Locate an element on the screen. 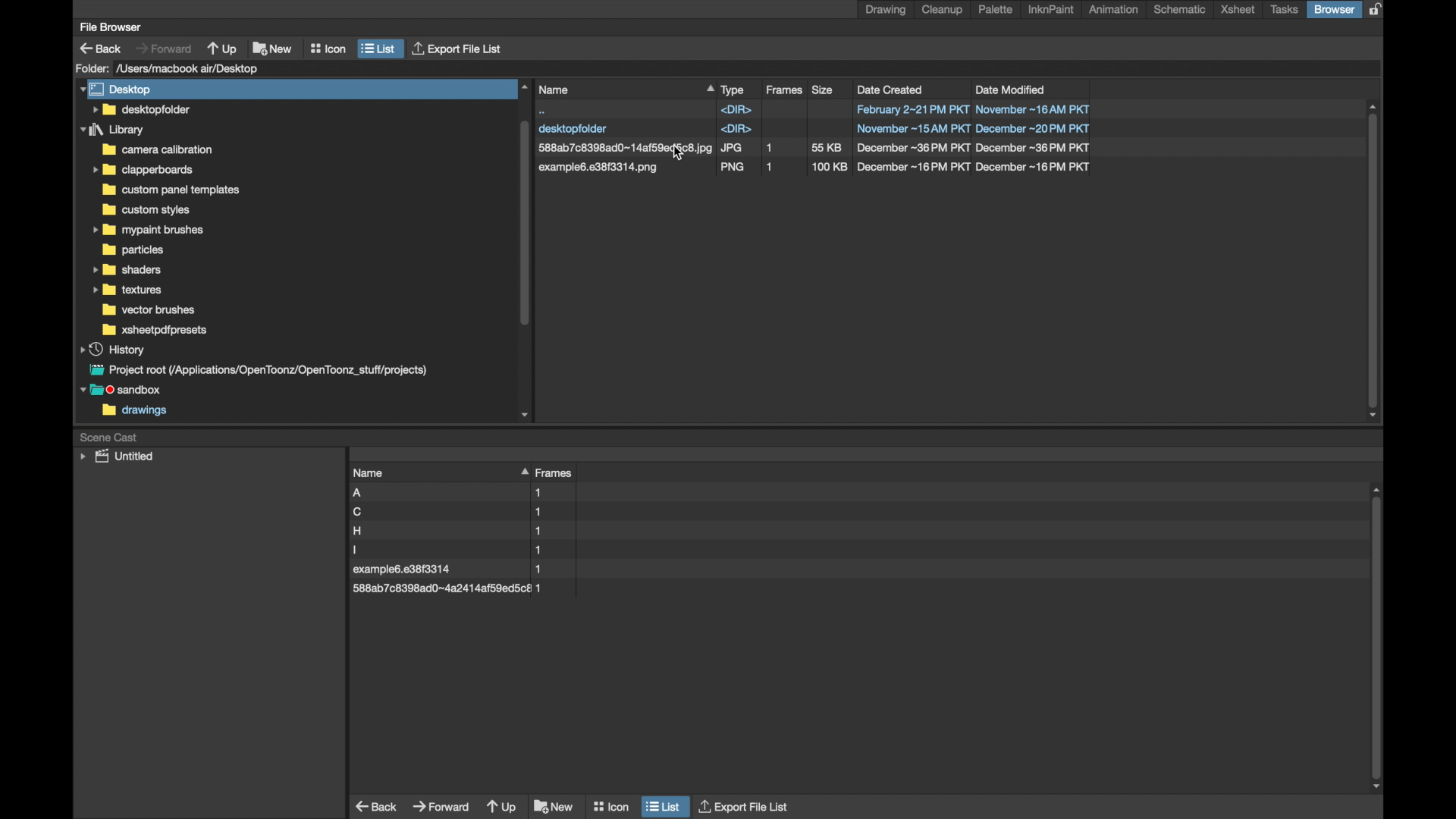  file is located at coordinates (814, 130).